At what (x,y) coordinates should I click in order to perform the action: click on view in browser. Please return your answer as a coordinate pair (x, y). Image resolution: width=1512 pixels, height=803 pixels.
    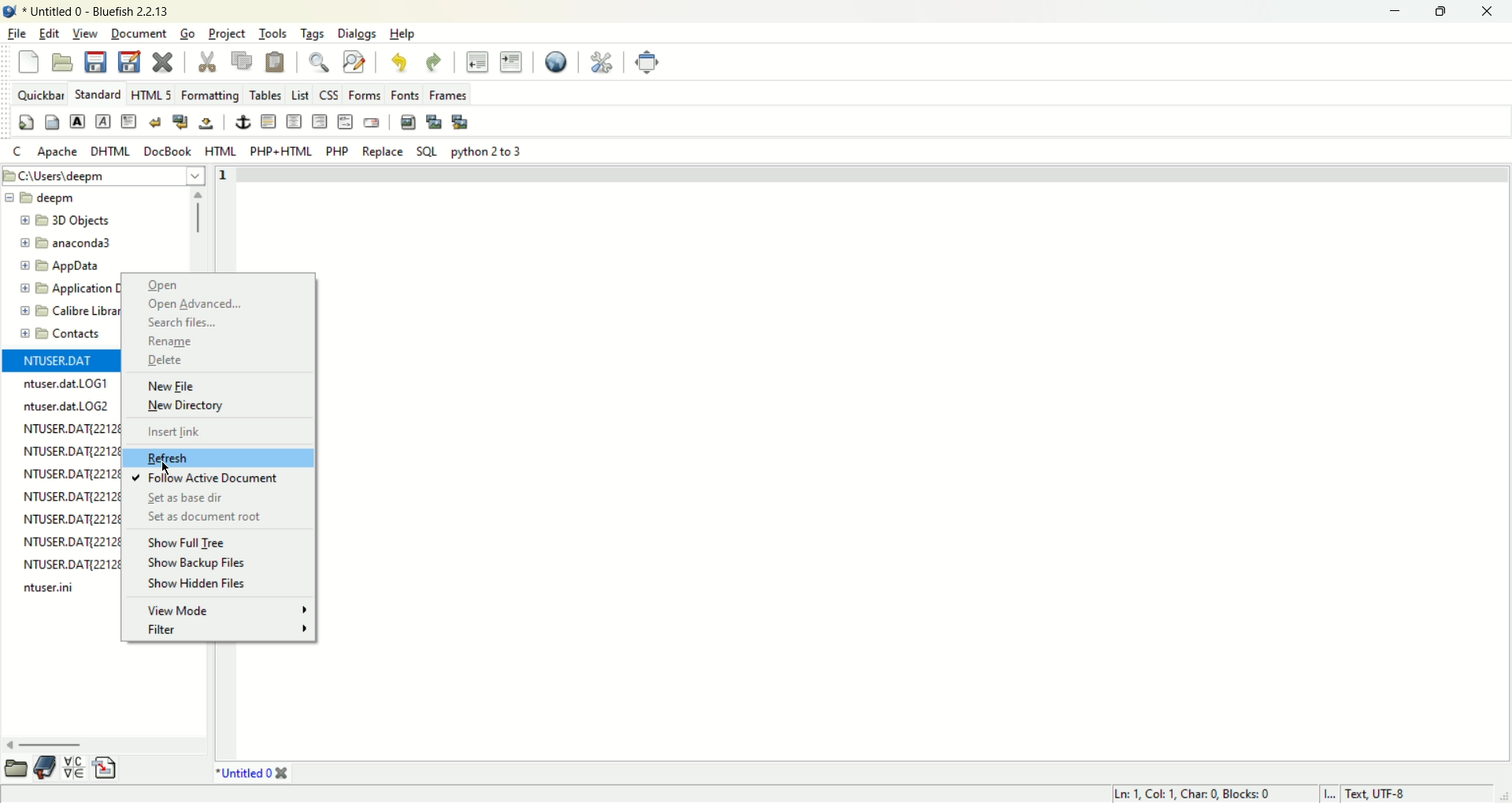
    Looking at the image, I should click on (558, 63).